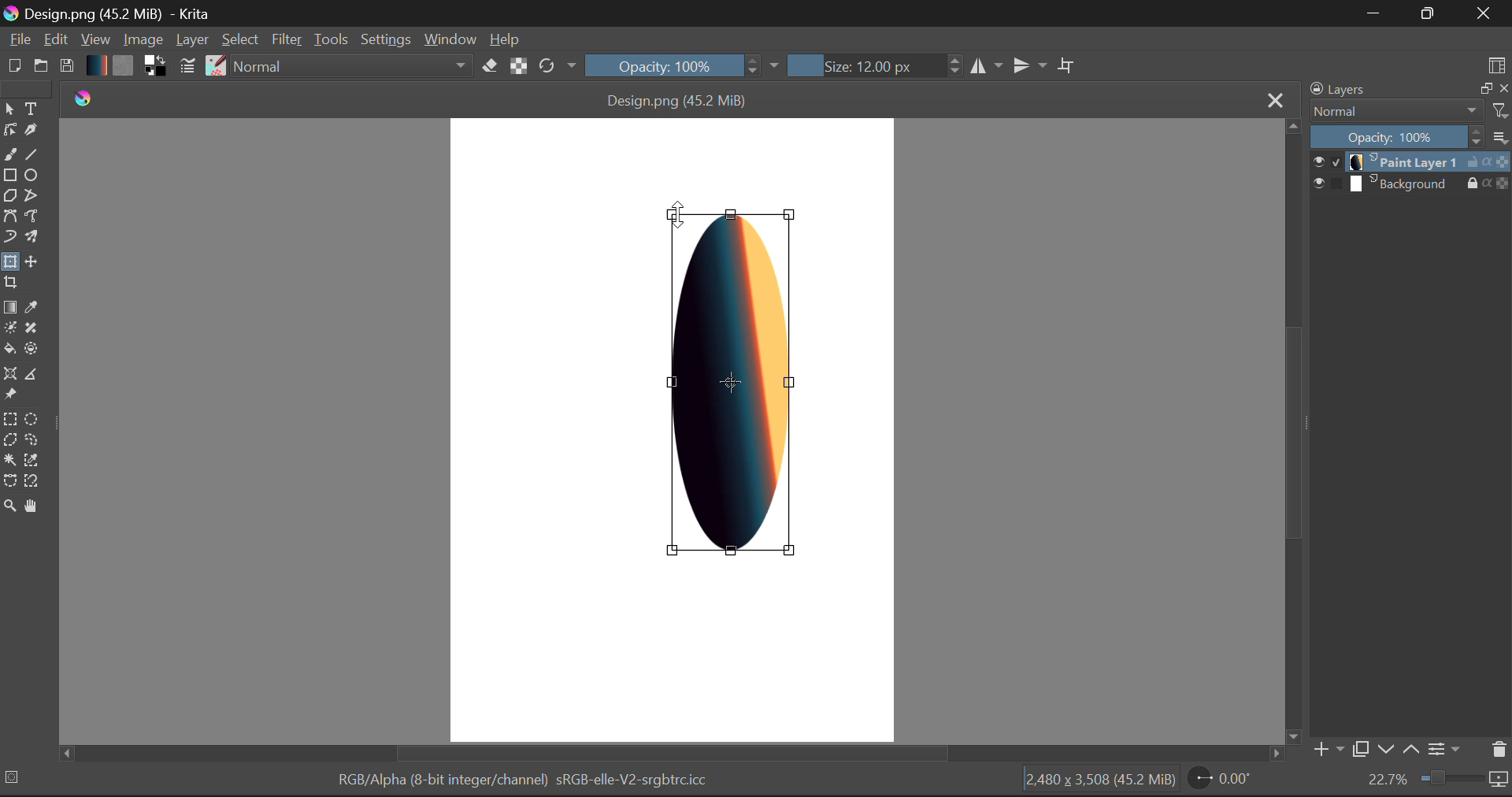 This screenshot has width=1512, height=797. What do you see at coordinates (9, 462) in the screenshot?
I see `Continuous Selection` at bounding box center [9, 462].